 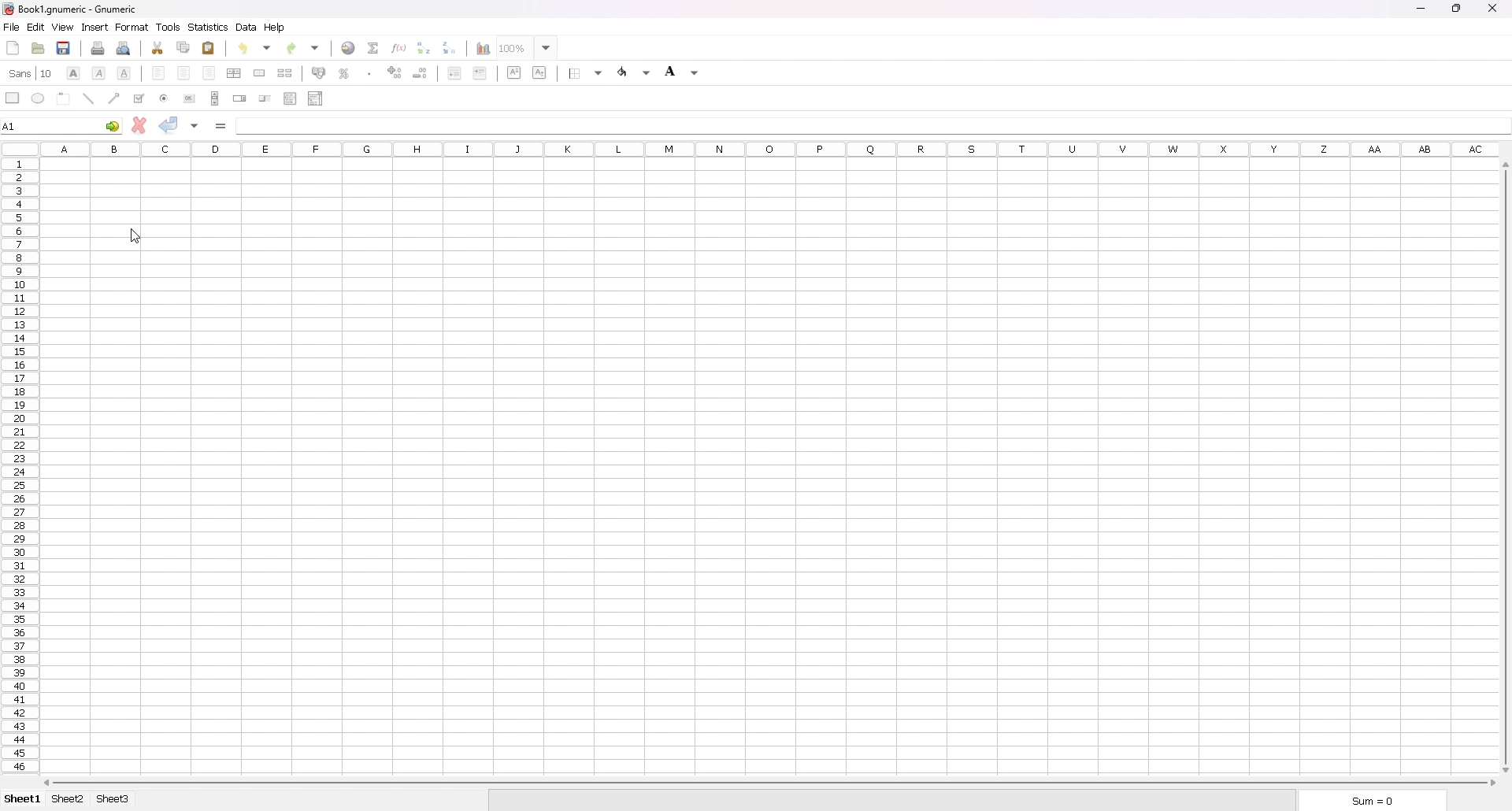 What do you see at coordinates (183, 72) in the screenshot?
I see `centre` at bounding box center [183, 72].